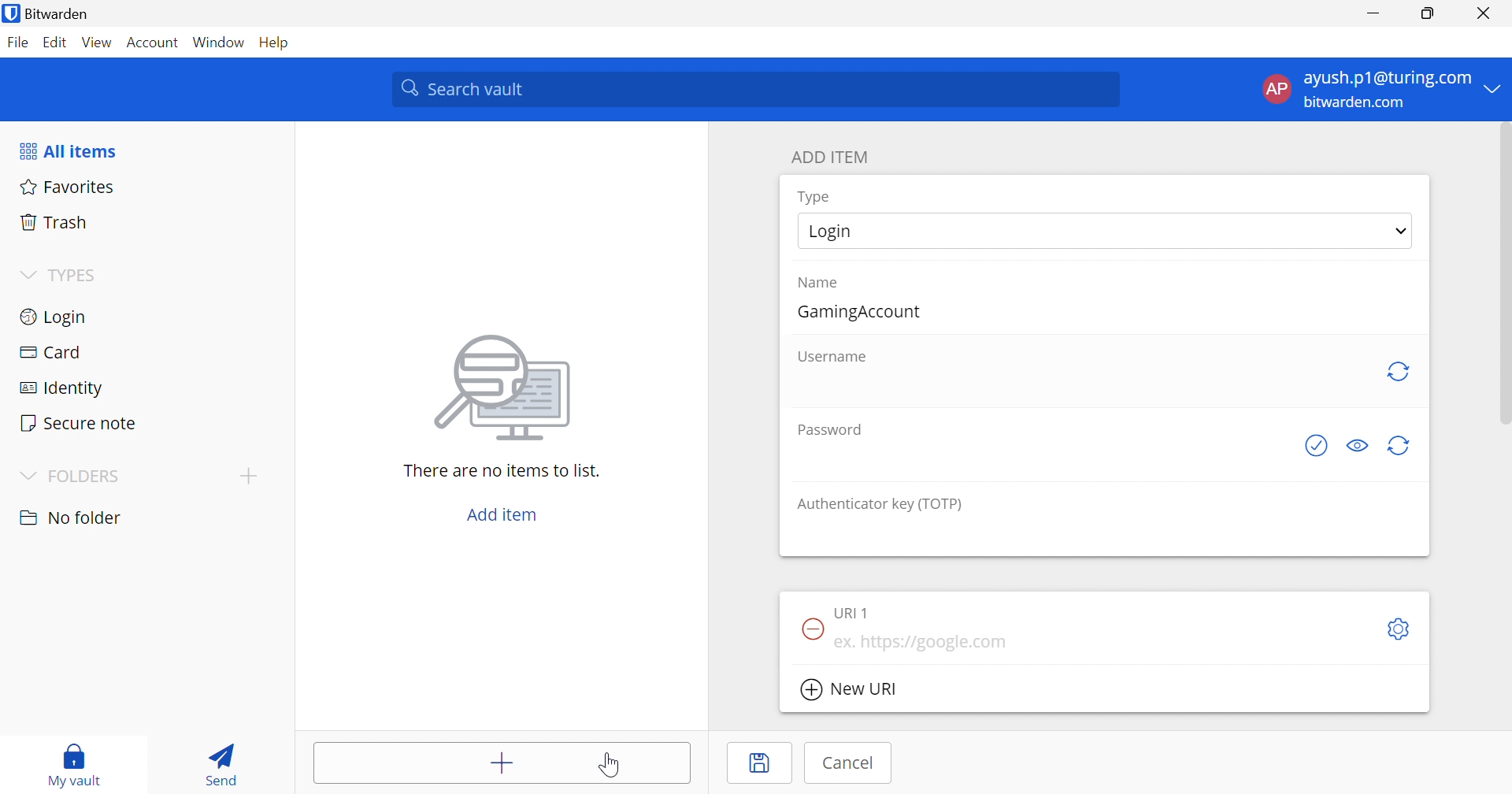  Describe the element at coordinates (18, 43) in the screenshot. I see `File` at that location.